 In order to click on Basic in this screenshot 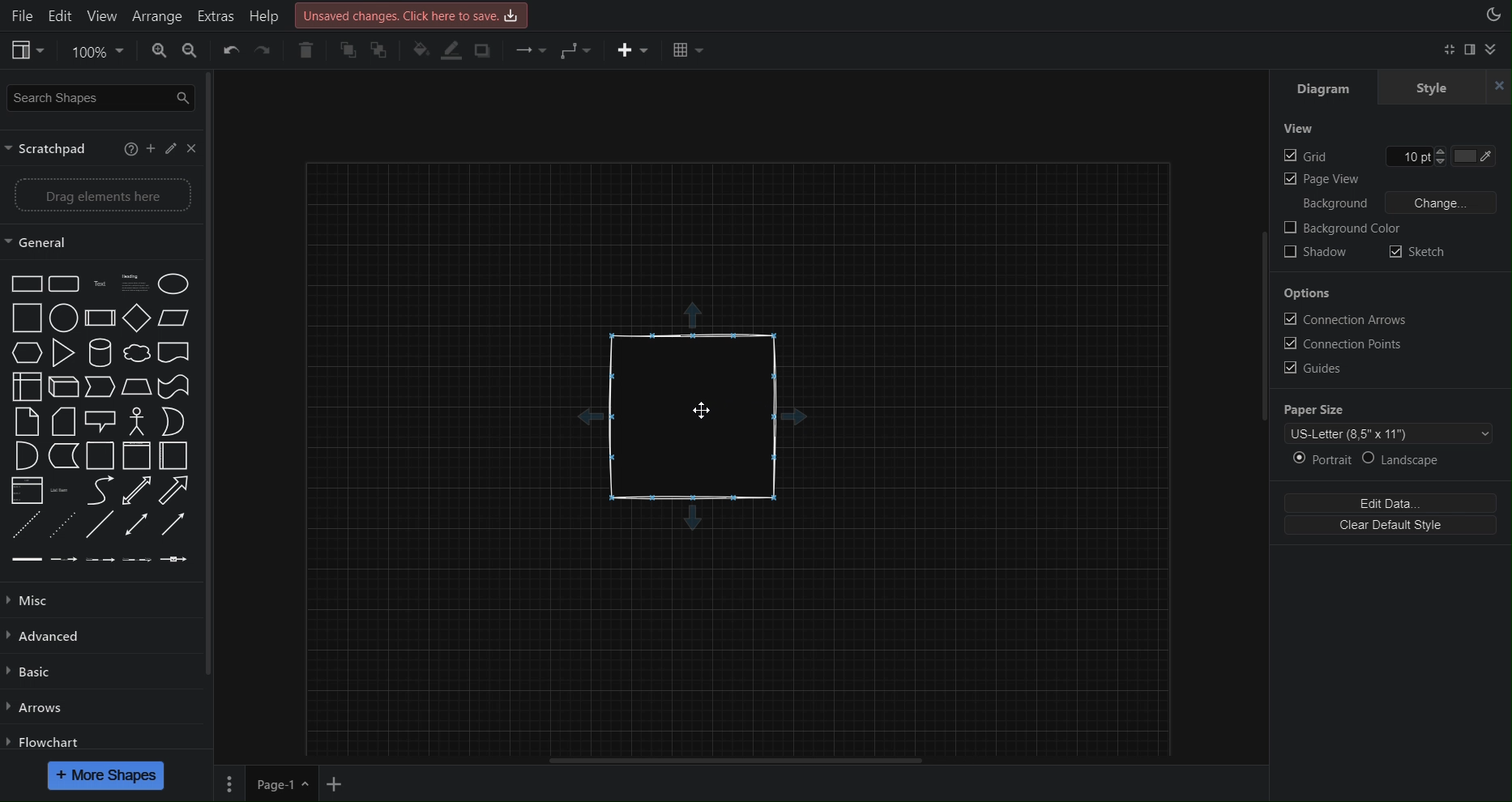, I will do `click(31, 676)`.